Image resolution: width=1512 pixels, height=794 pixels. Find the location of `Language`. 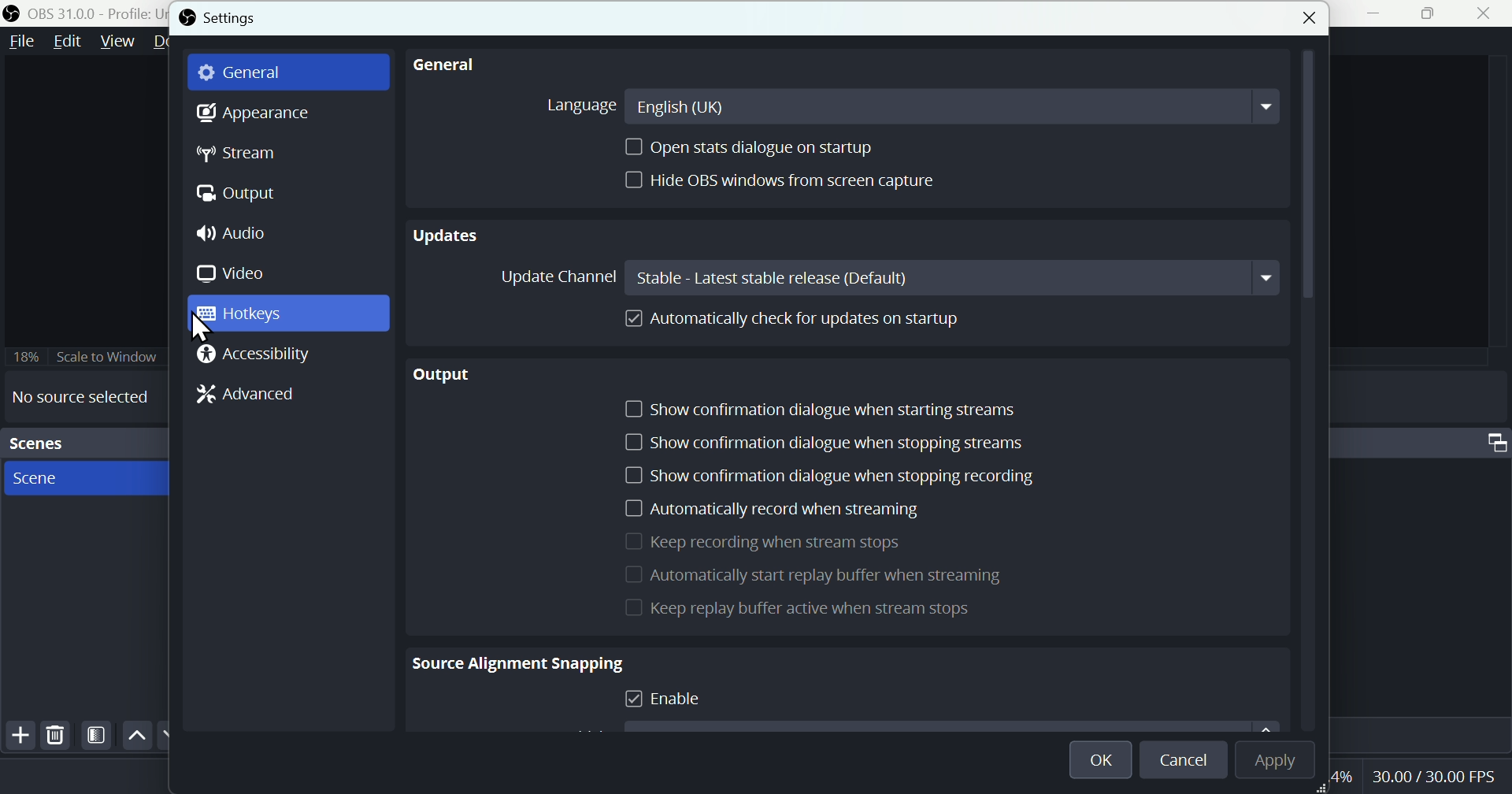

Language is located at coordinates (581, 102).